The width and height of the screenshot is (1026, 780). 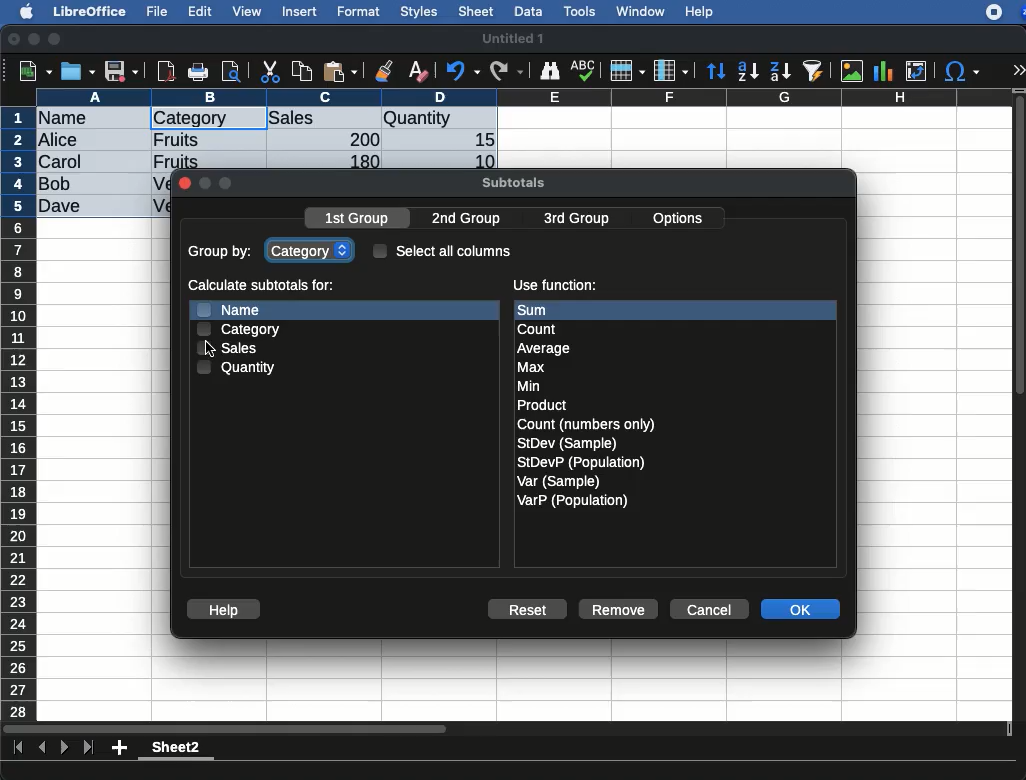 What do you see at coordinates (581, 11) in the screenshot?
I see `tools` at bounding box center [581, 11].